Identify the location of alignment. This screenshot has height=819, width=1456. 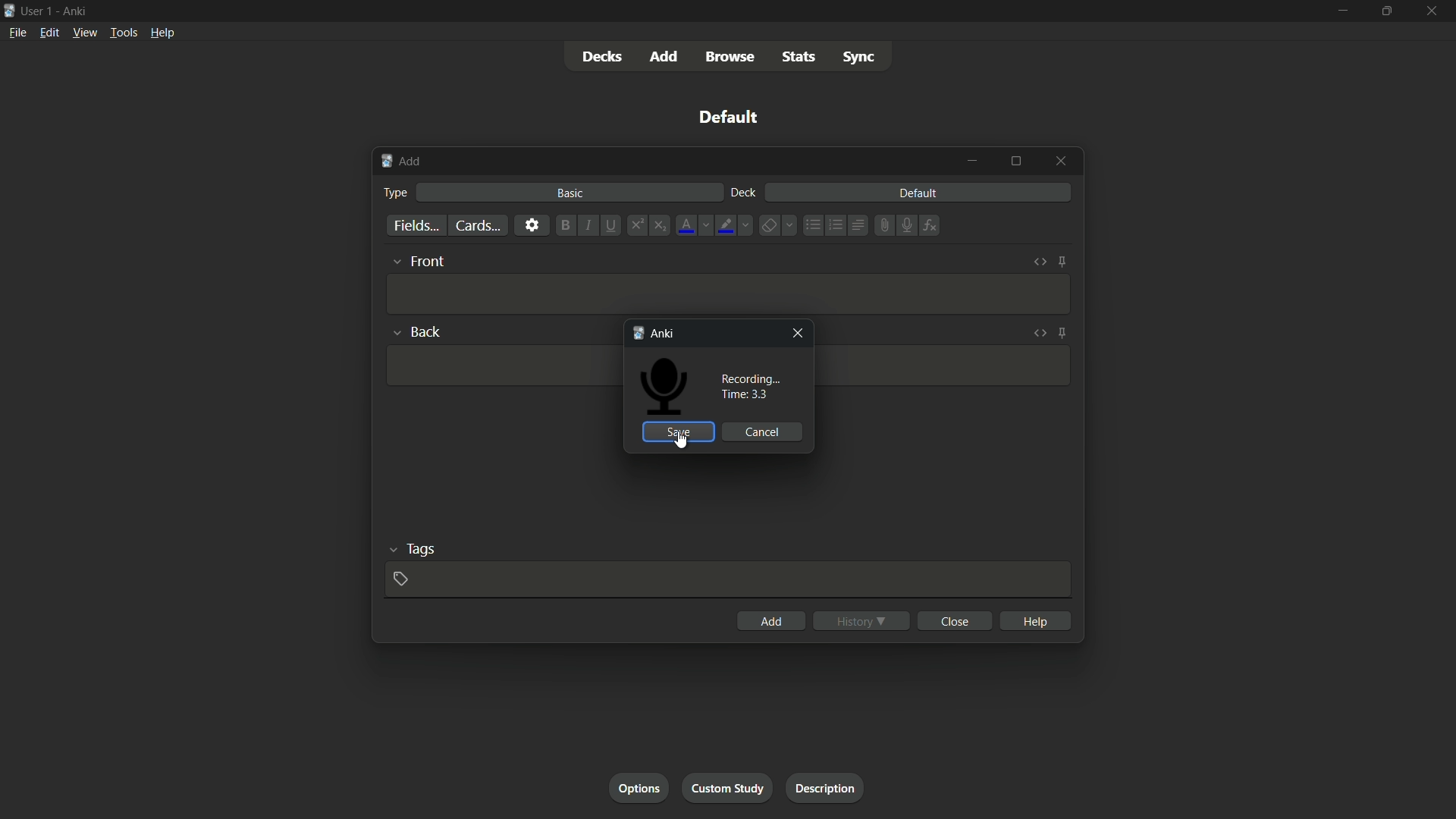
(858, 227).